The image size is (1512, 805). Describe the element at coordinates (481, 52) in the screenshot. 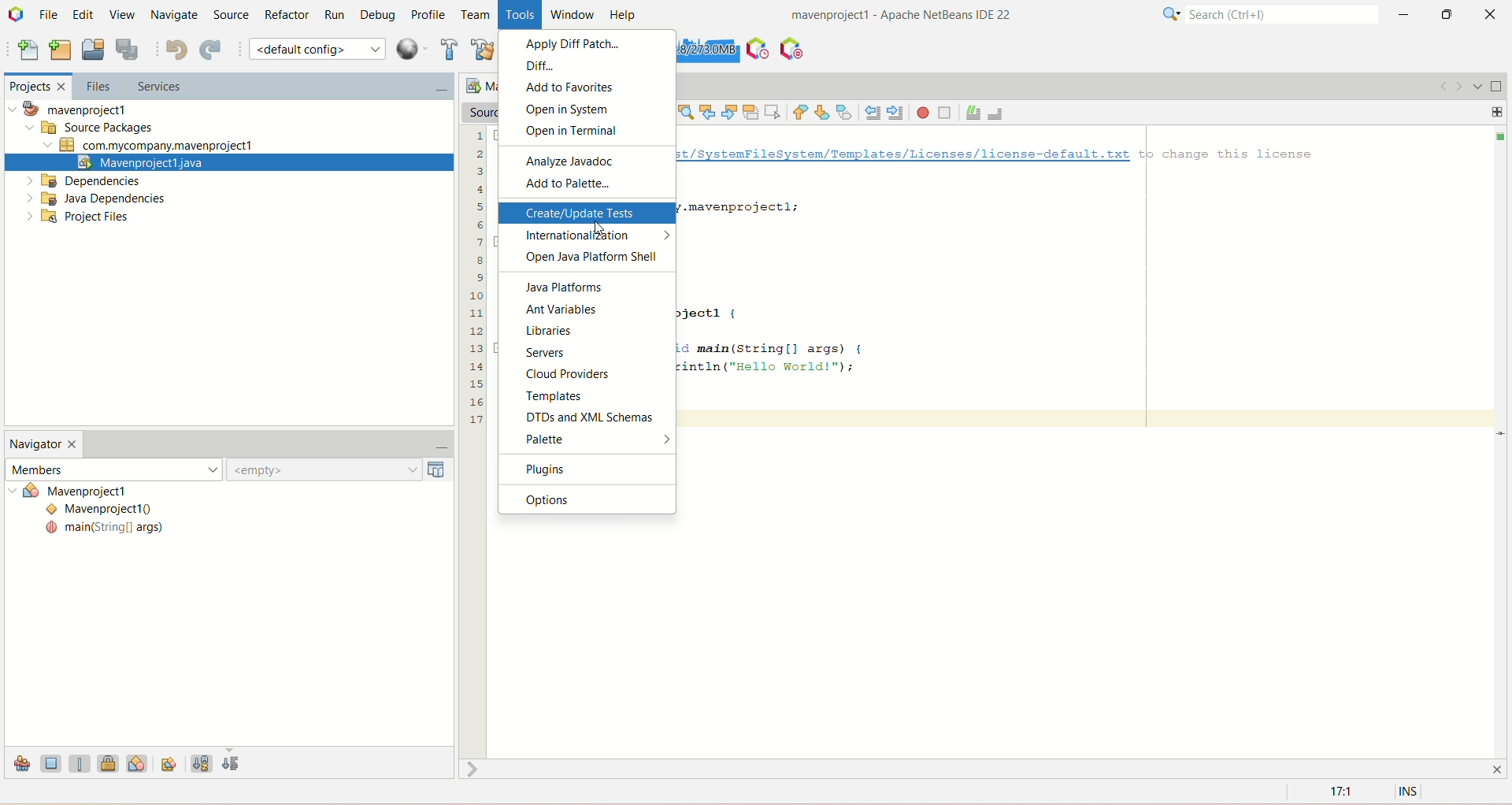

I see `clean and build project` at that location.